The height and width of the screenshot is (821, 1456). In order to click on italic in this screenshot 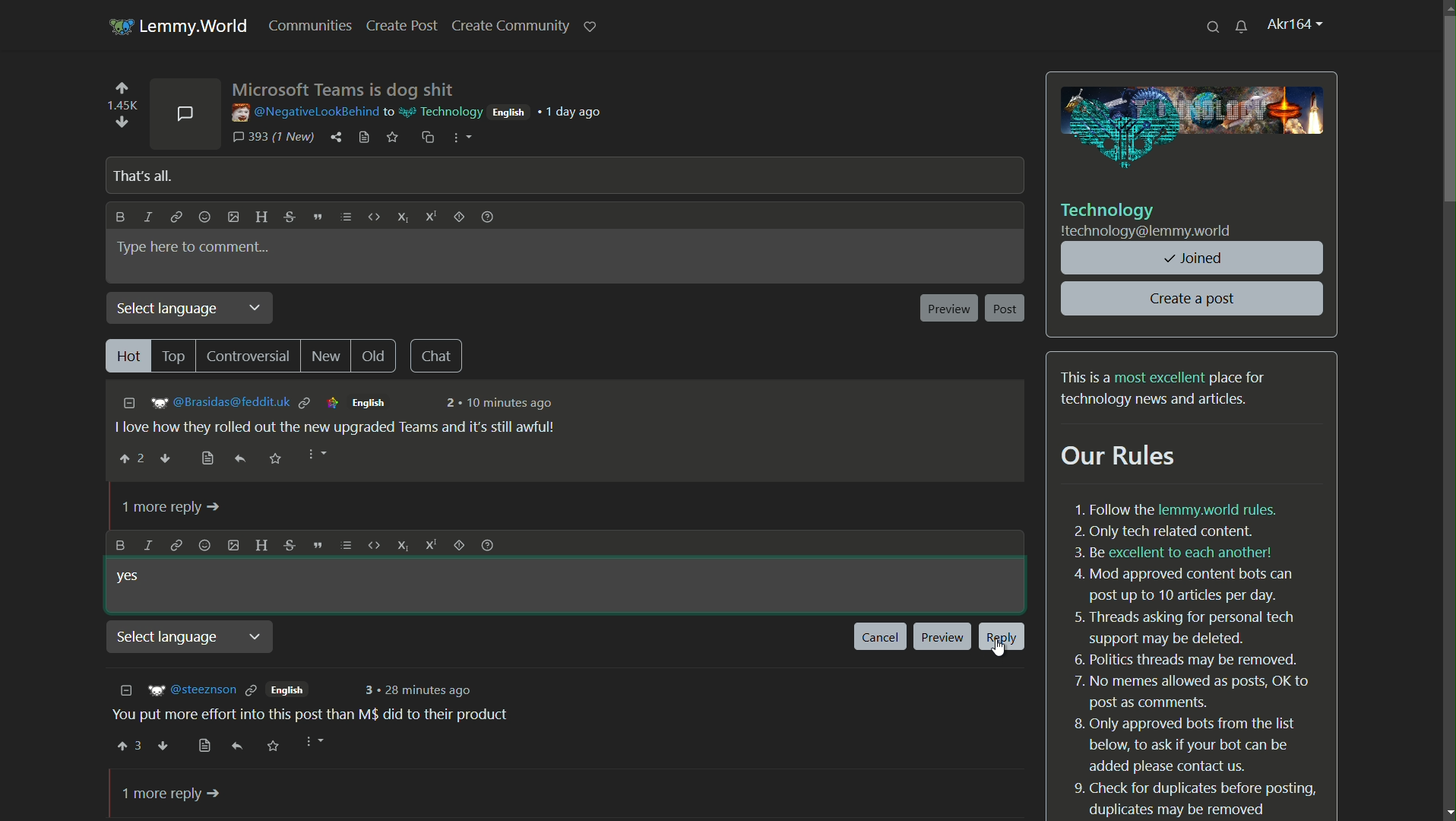, I will do `click(149, 545)`.